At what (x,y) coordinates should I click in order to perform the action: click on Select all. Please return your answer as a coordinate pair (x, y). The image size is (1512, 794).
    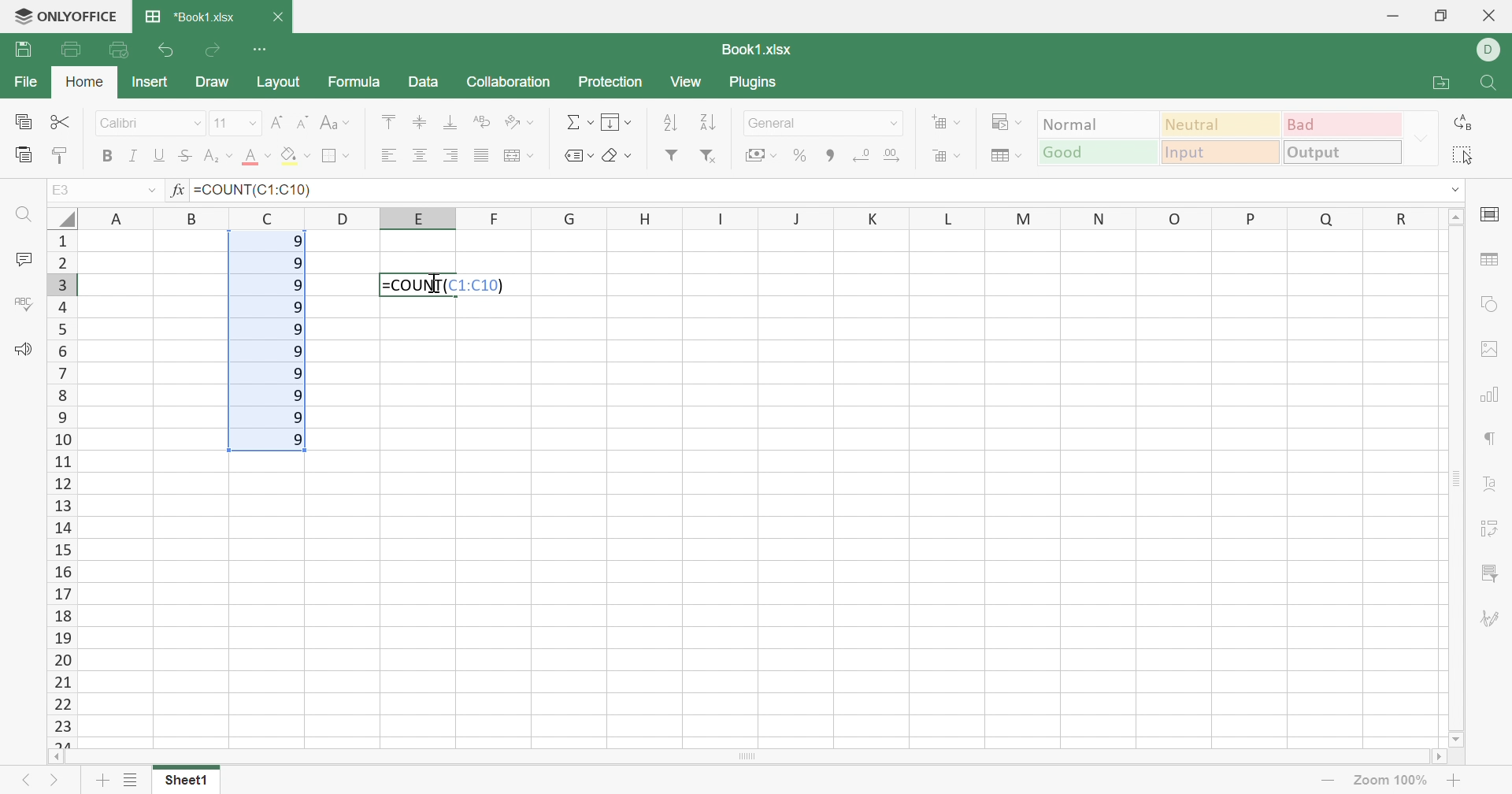
    Looking at the image, I should click on (1462, 153).